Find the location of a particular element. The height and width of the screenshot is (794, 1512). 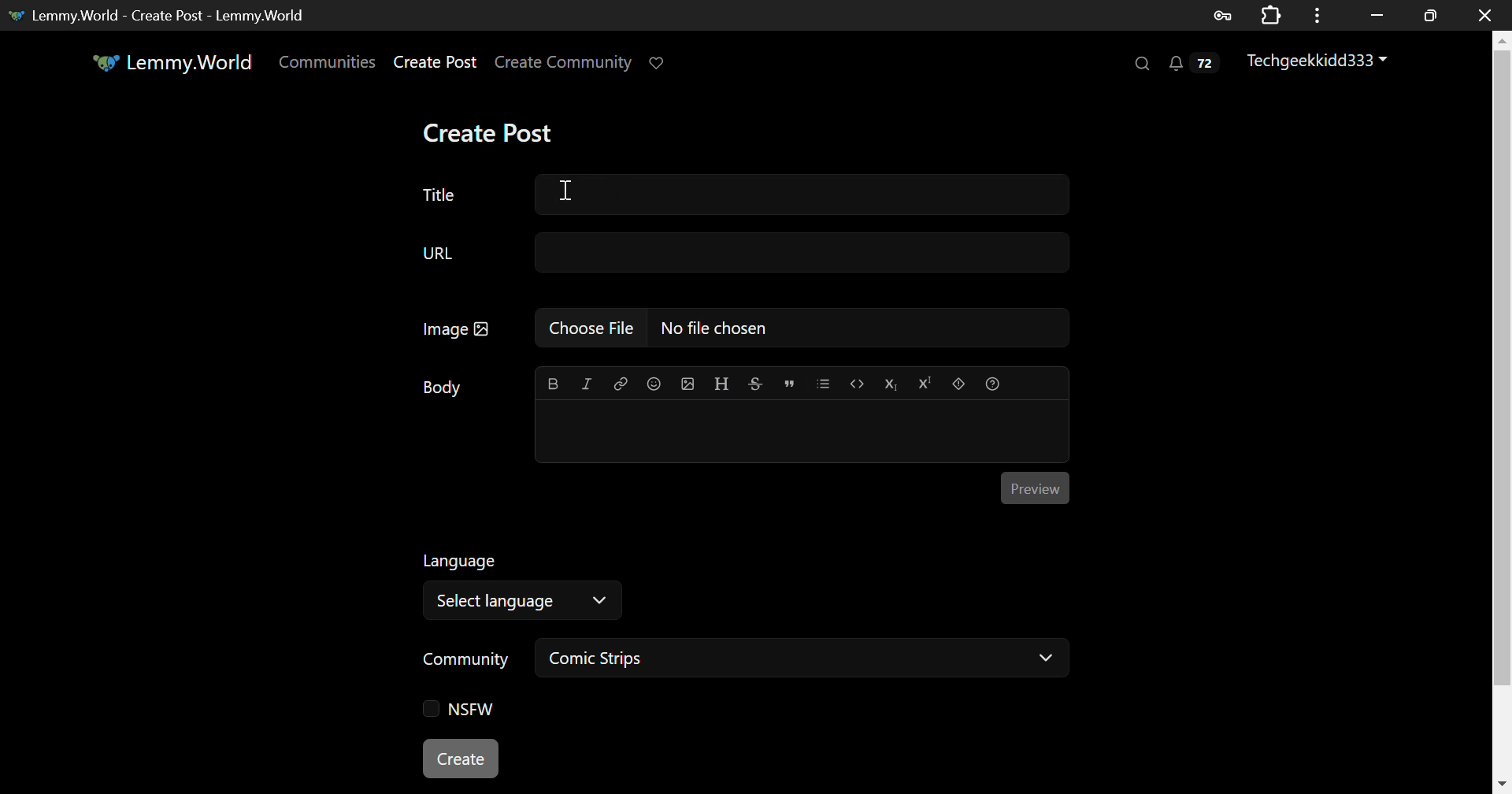

Minimize is located at coordinates (1433, 15).